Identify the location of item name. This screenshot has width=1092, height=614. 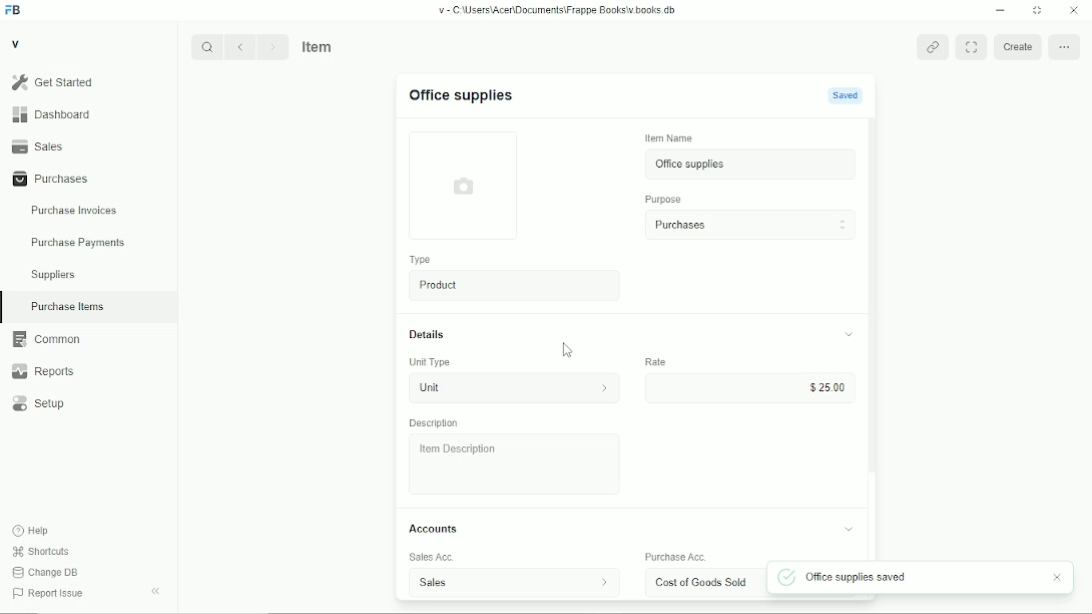
(670, 138).